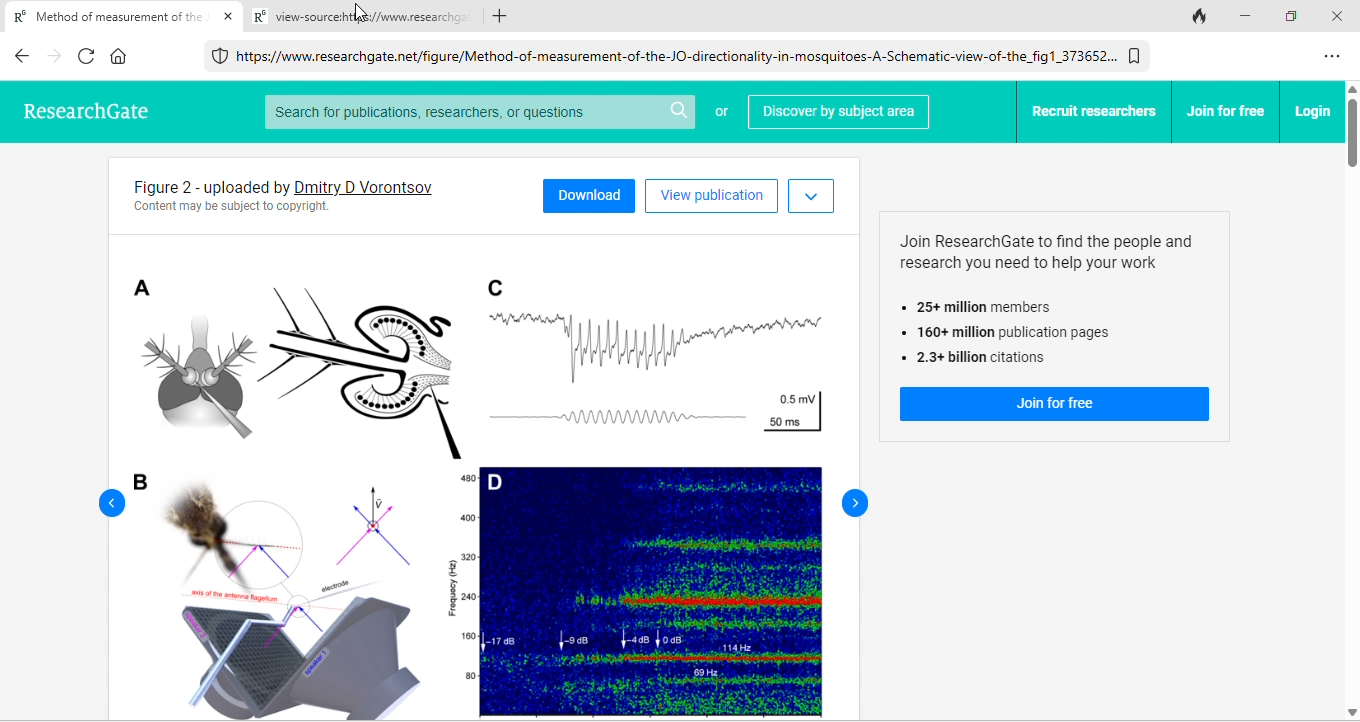 The width and height of the screenshot is (1360, 722). I want to click on forward, so click(55, 58).